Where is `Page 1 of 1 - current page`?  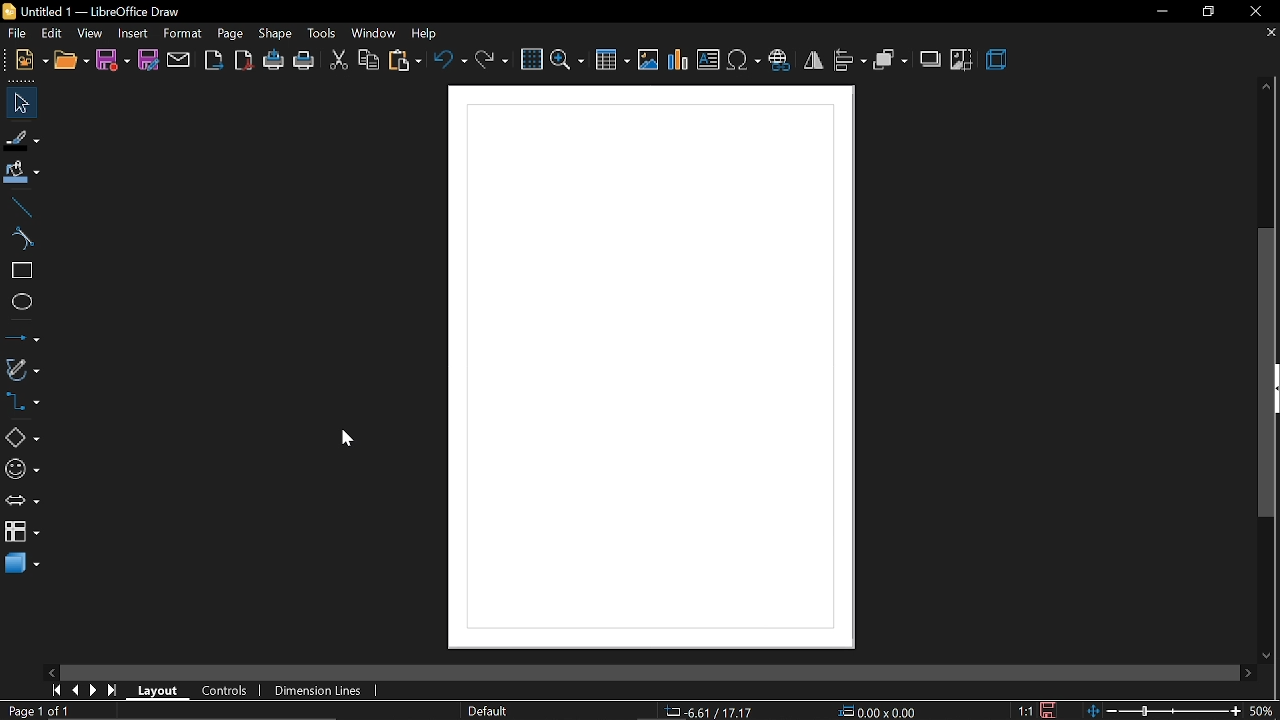
Page 1 of 1 - current page is located at coordinates (40, 711).